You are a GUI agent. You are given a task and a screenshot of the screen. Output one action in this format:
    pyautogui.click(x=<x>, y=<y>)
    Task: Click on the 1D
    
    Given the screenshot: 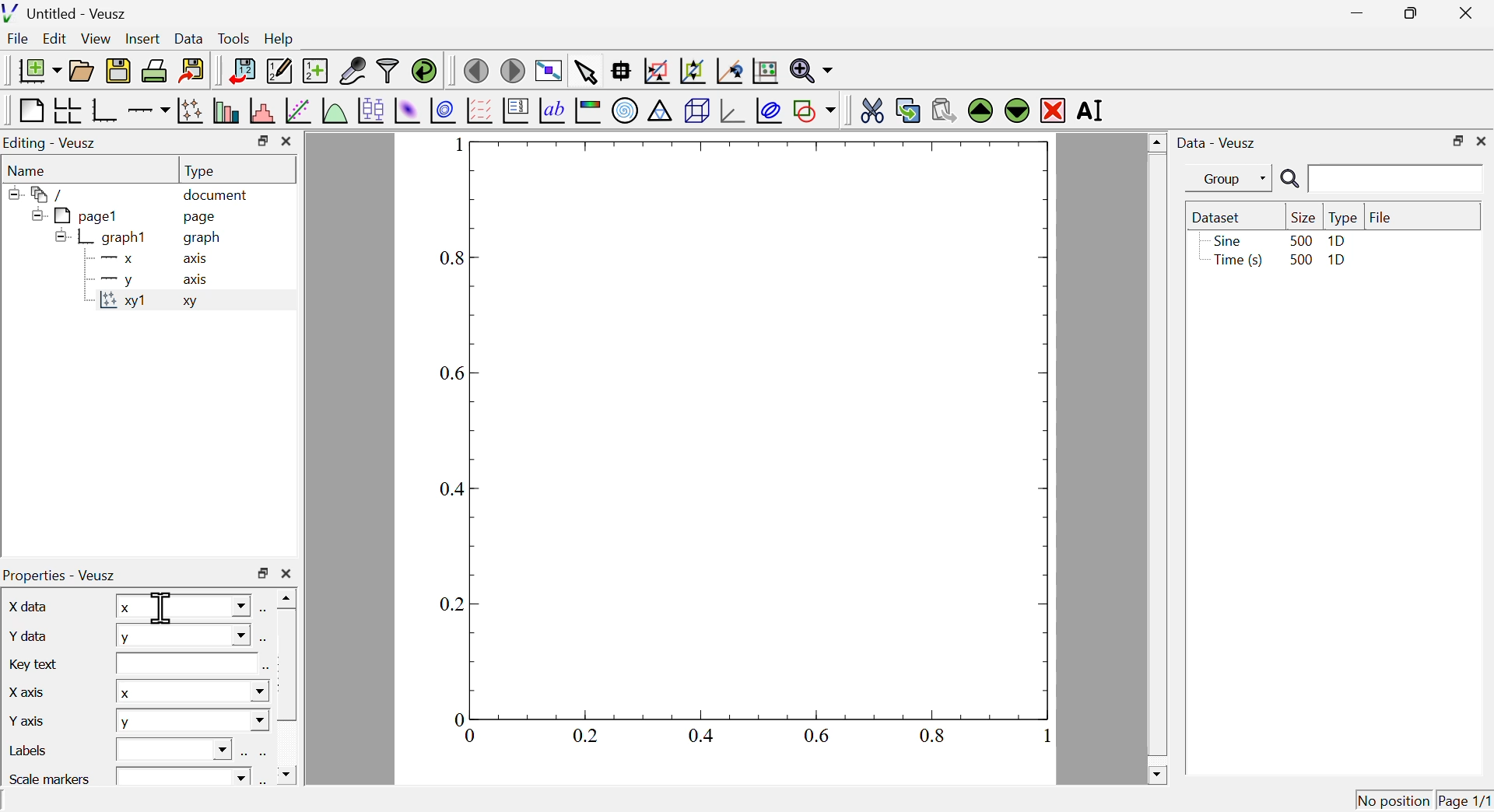 What is the action you would take?
    pyautogui.click(x=1337, y=241)
    